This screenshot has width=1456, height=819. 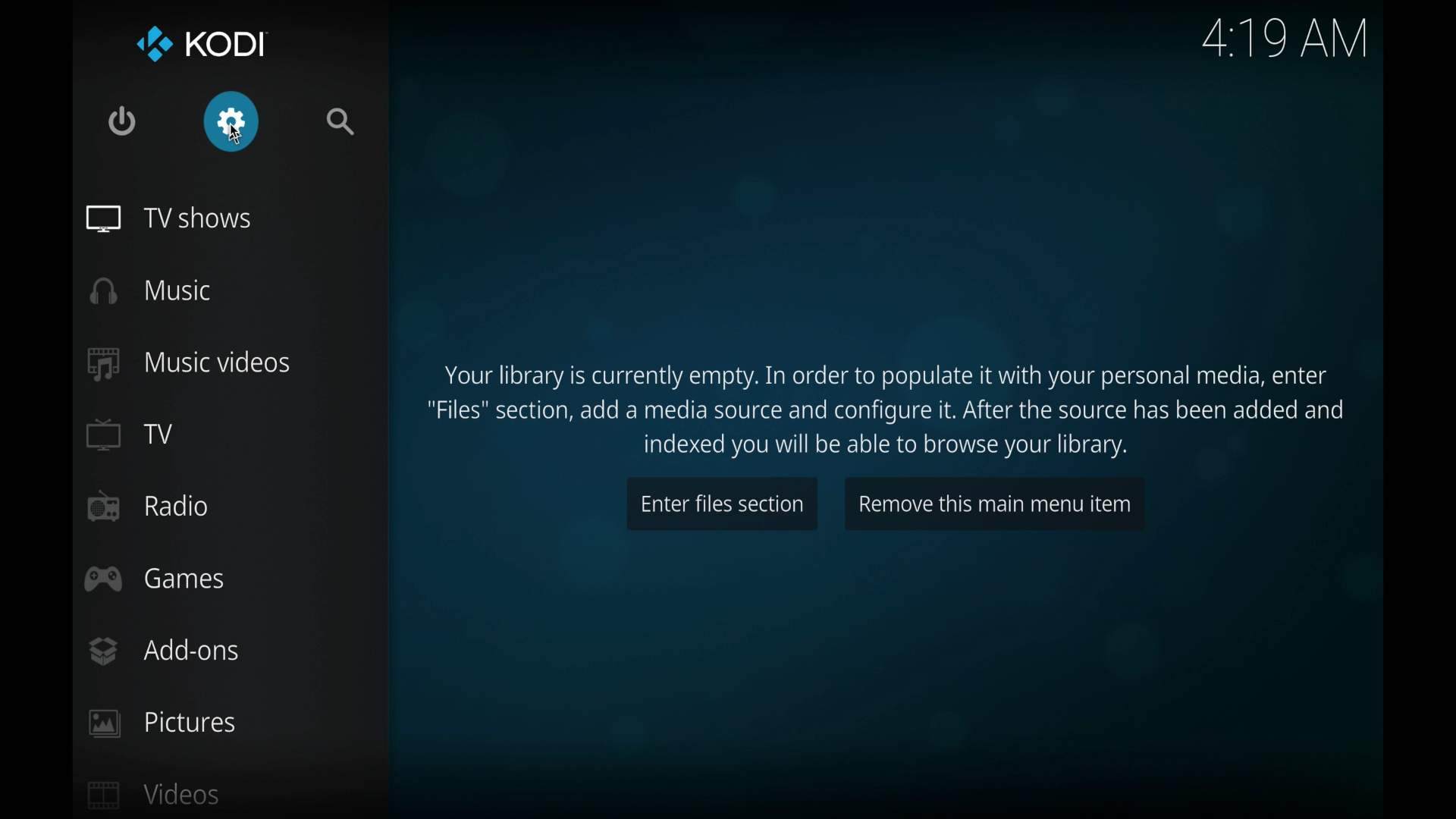 What do you see at coordinates (722, 504) in the screenshot?
I see `enter files section` at bounding box center [722, 504].